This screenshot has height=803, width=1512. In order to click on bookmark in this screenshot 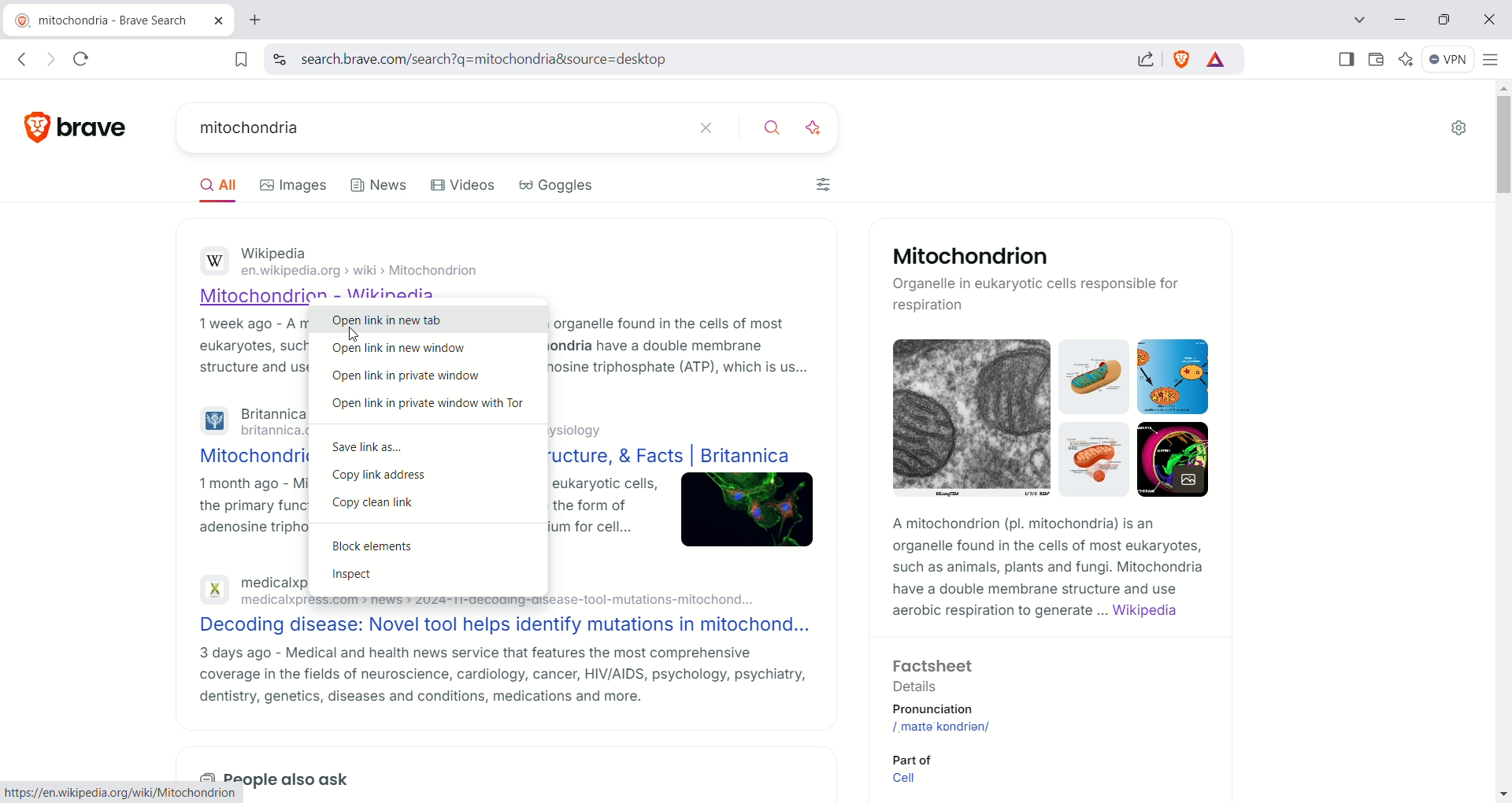, I will do `click(243, 62)`.